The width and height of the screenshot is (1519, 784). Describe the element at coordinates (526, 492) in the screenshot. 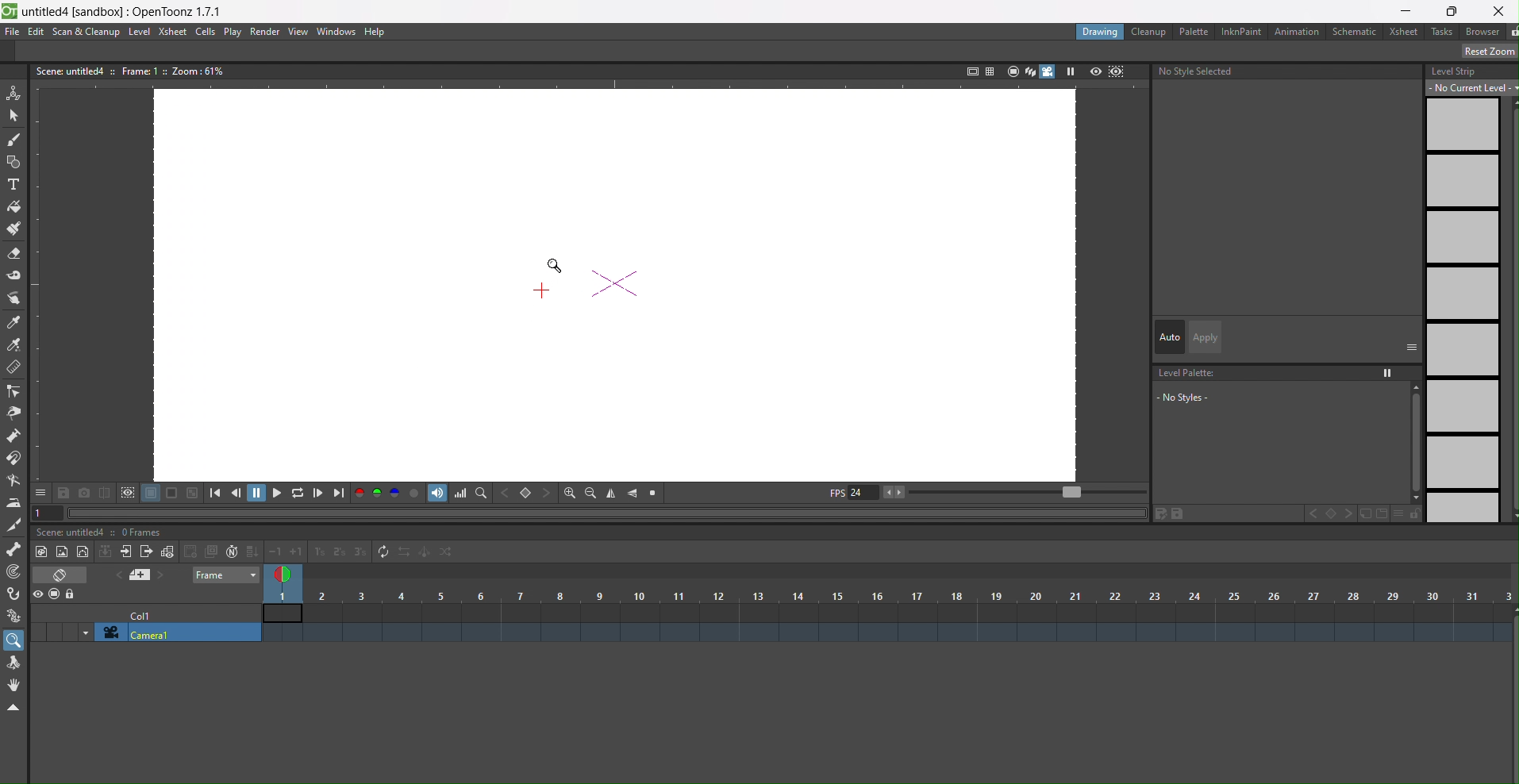

I see `set key` at that location.